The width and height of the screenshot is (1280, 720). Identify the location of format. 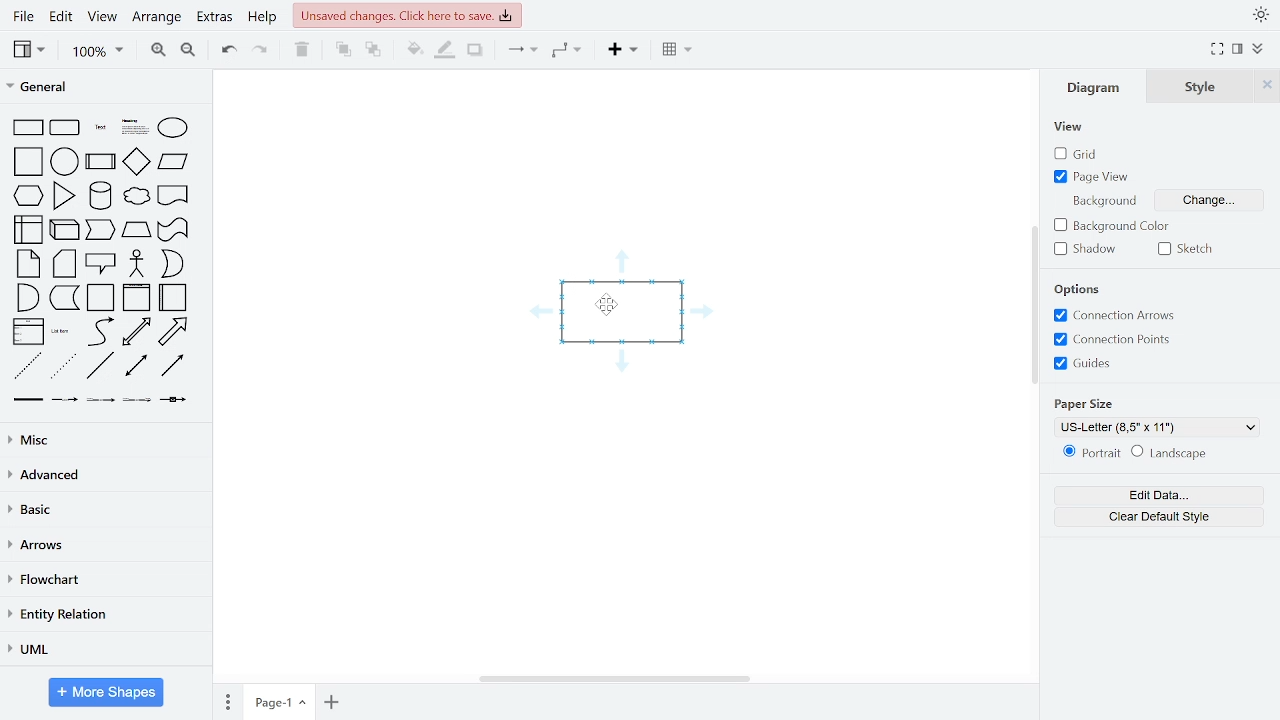
(1238, 49).